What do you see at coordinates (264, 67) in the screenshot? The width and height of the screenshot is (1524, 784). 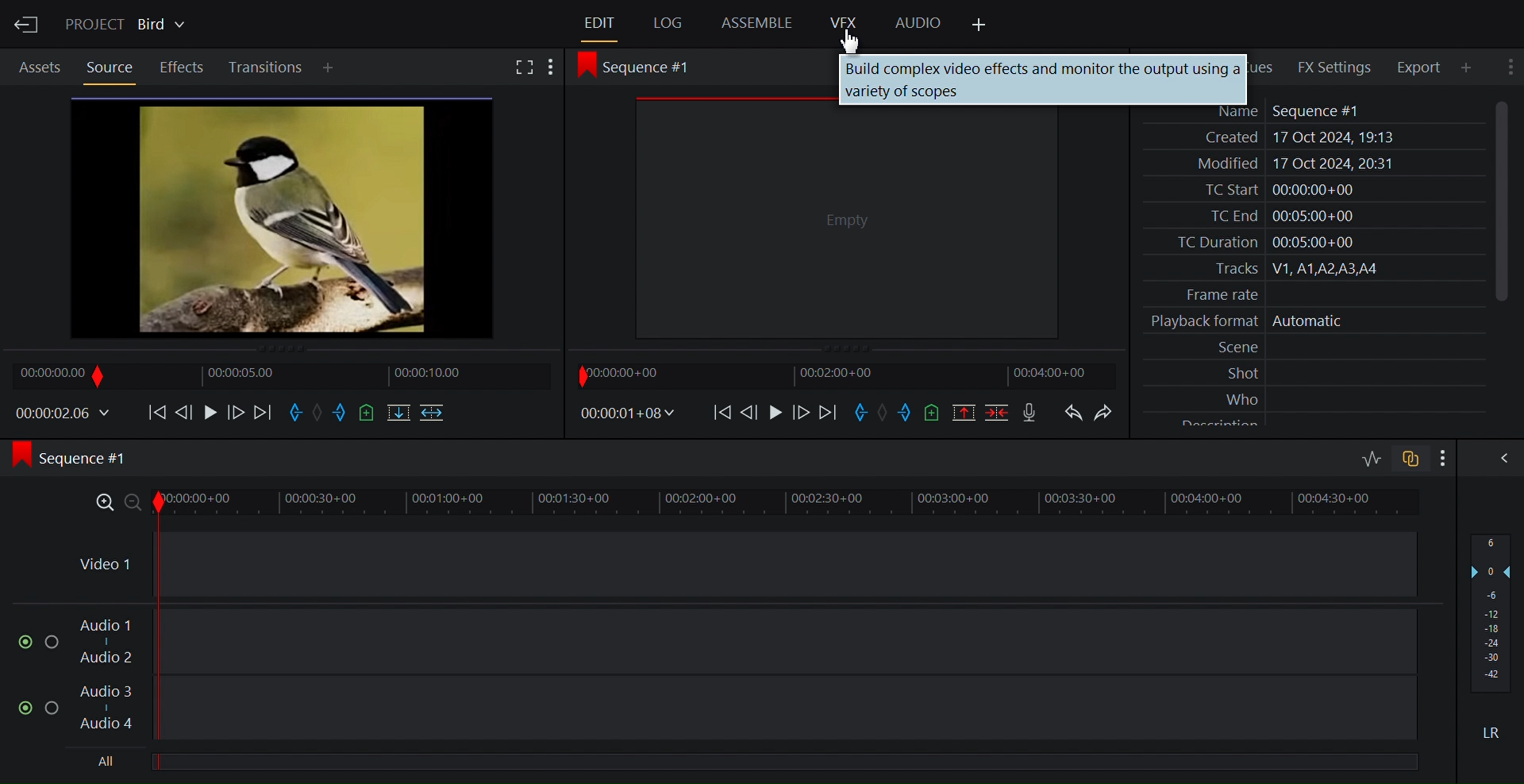 I see `Transition` at bounding box center [264, 67].